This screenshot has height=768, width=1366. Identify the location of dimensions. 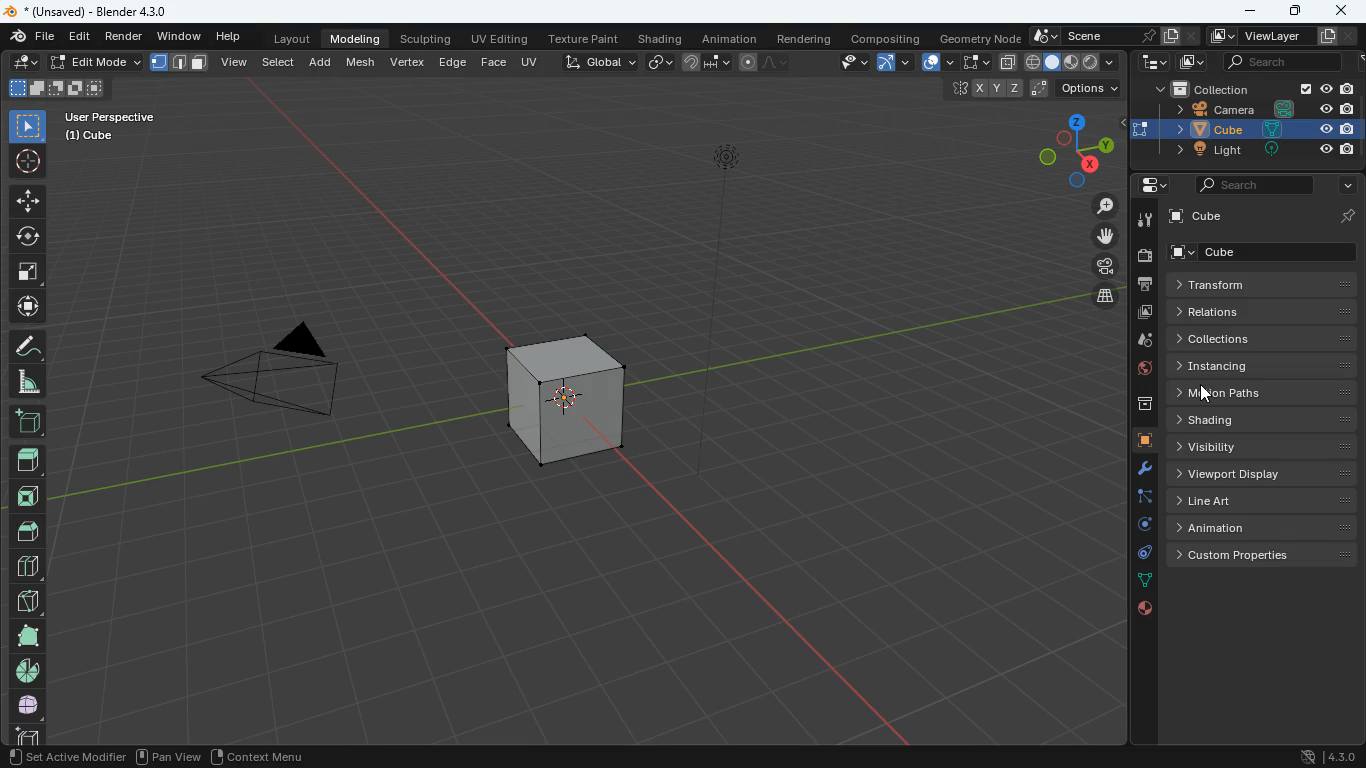
(1024, 89).